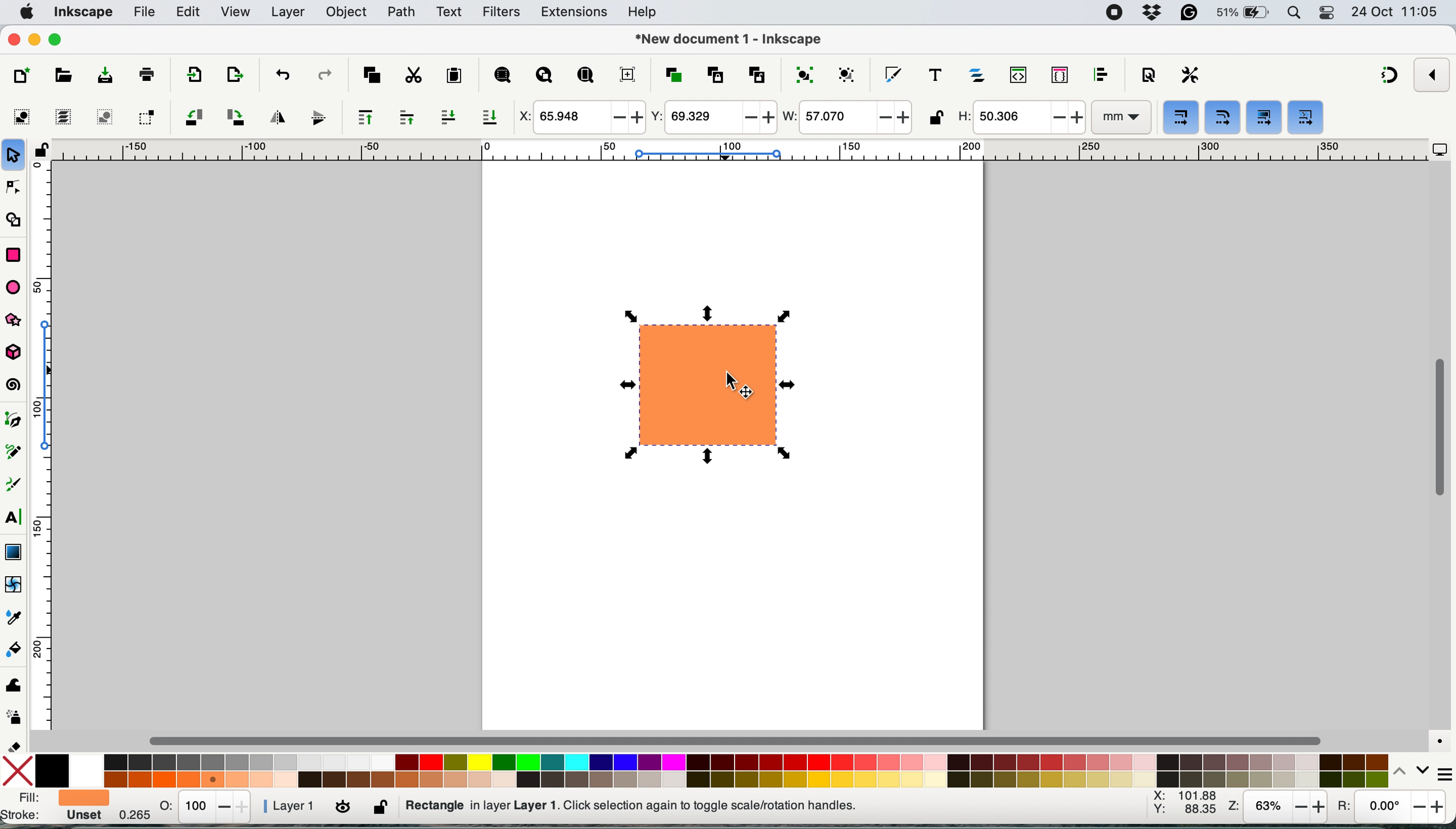 This screenshot has height=829, width=1456. Describe the element at coordinates (1101, 75) in the screenshot. I see `align and distribute` at that location.